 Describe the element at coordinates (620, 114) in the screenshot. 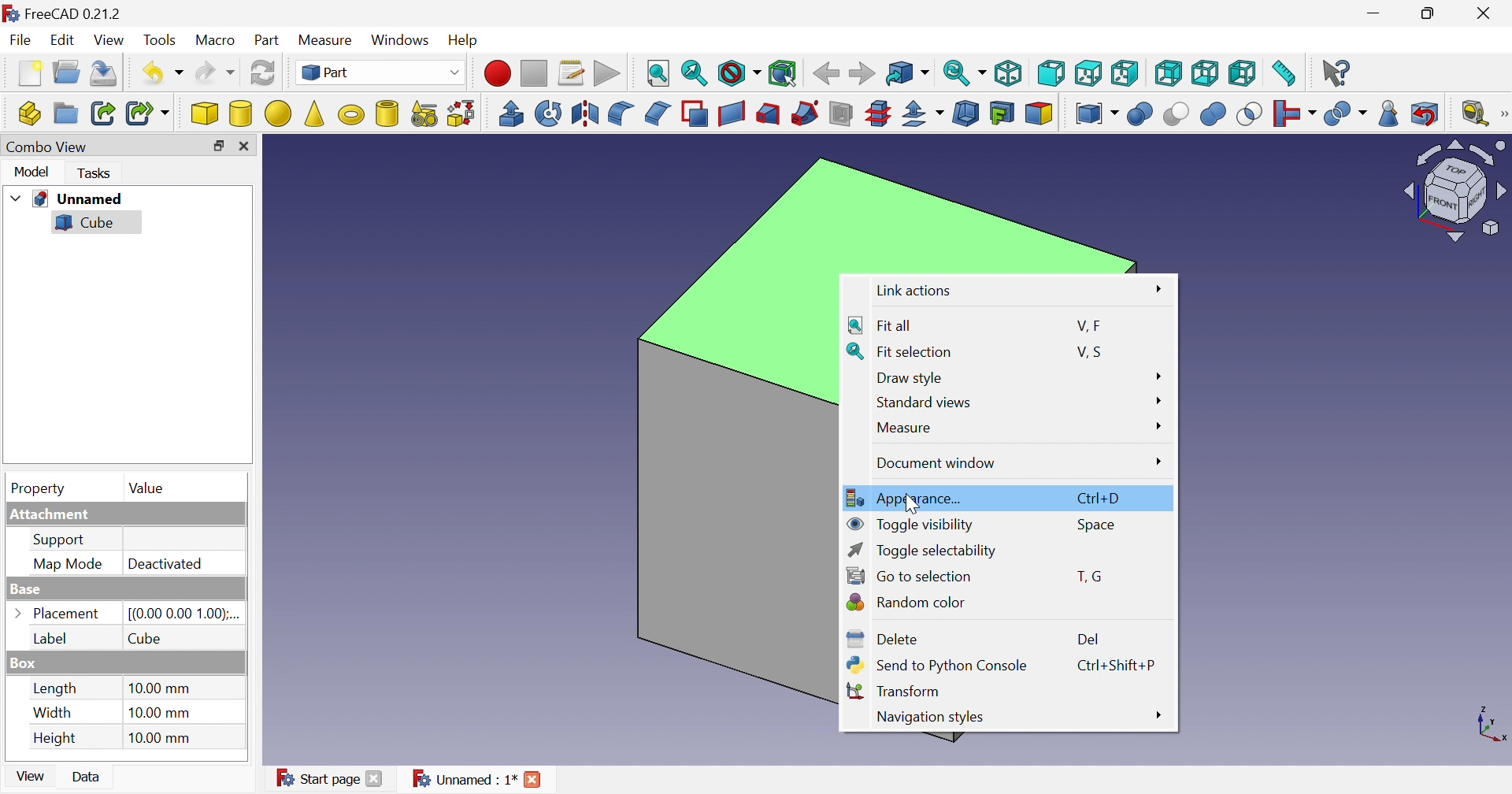

I see `Fillet` at that location.